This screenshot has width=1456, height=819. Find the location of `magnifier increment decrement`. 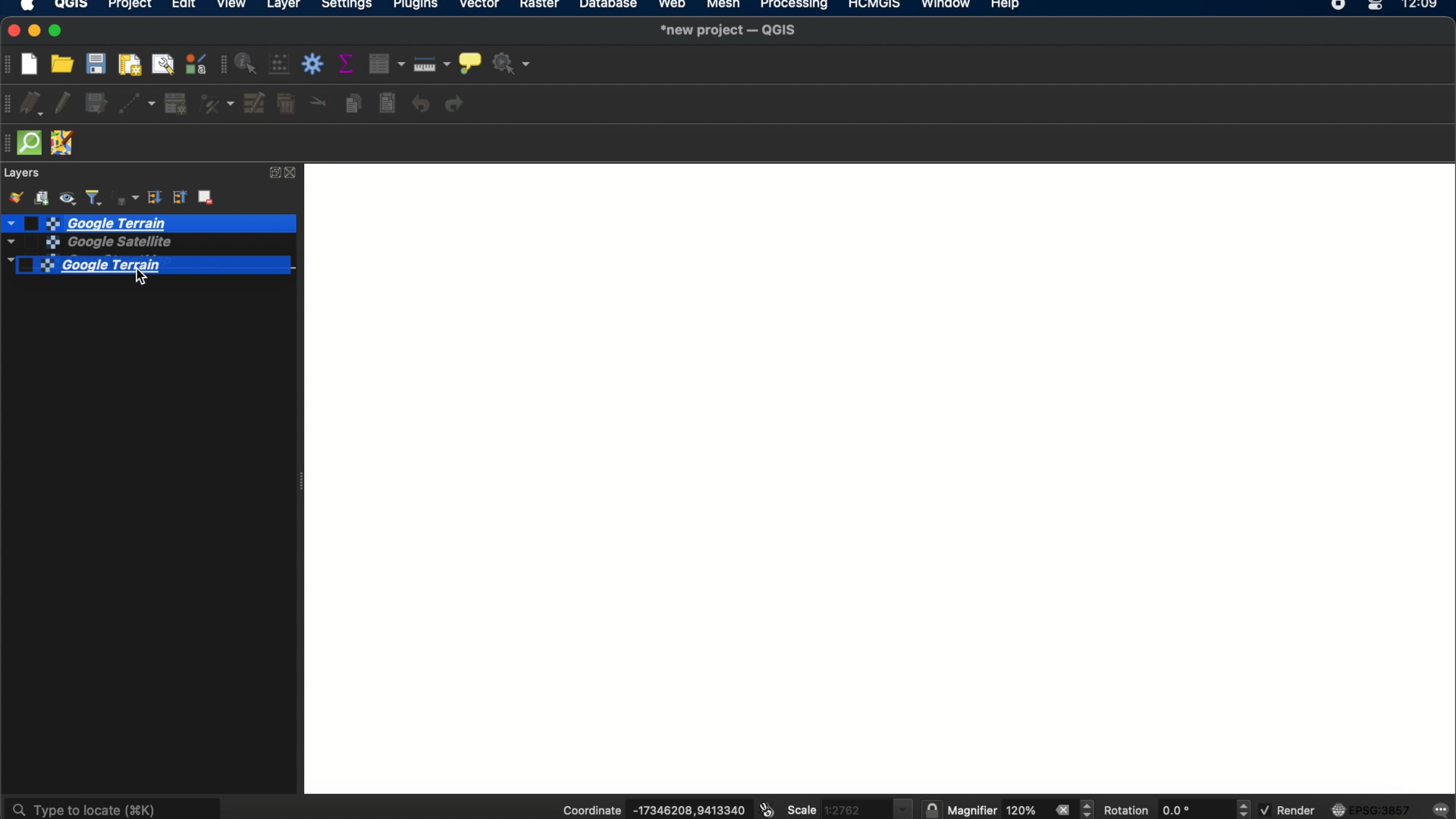

magnifier increment decrement is located at coordinates (1089, 808).